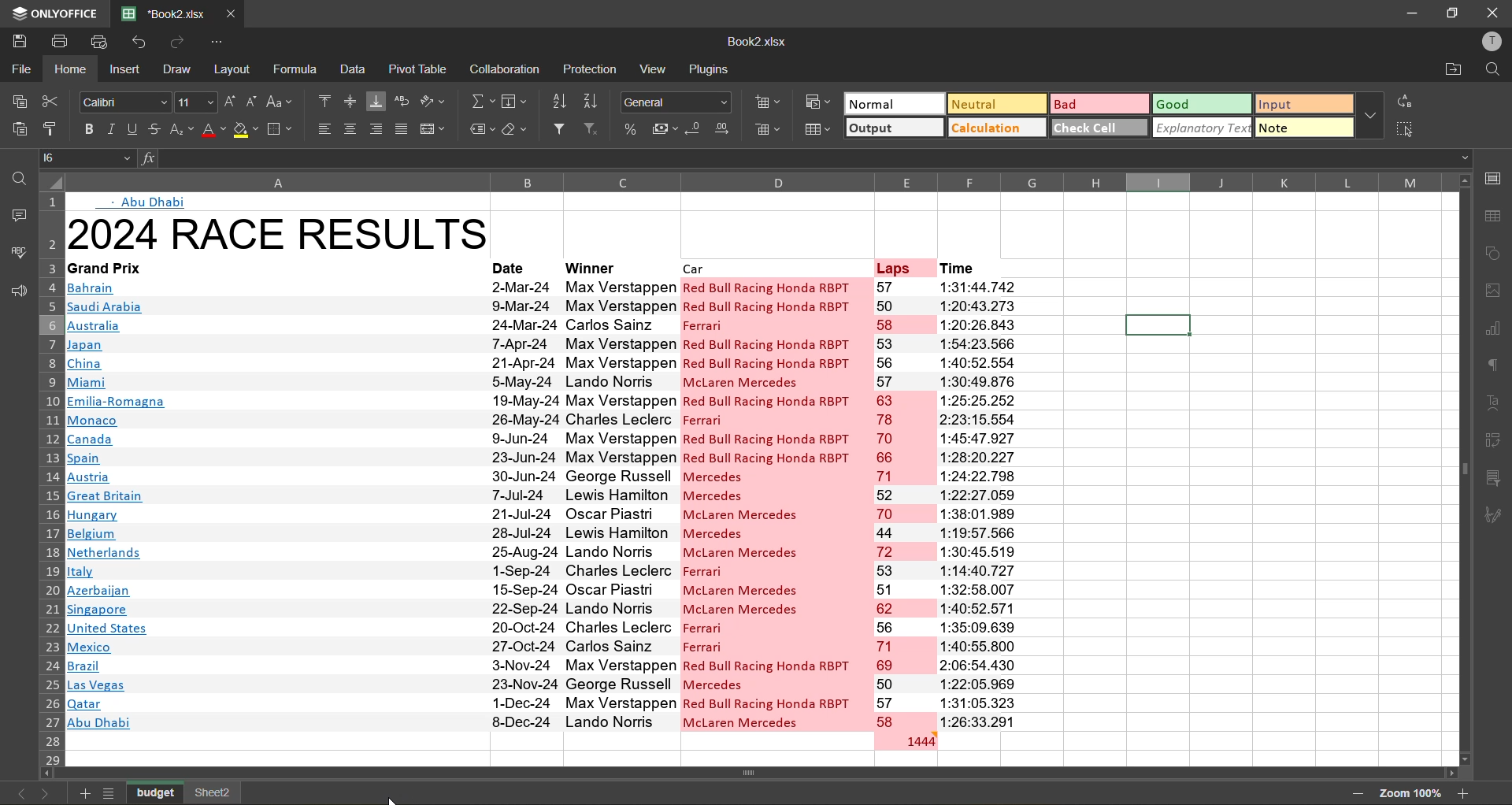 The height and width of the screenshot is (805, 1512). Describe the element at coordinates (1496, 406) in the screenshot. I see `text` at that location.